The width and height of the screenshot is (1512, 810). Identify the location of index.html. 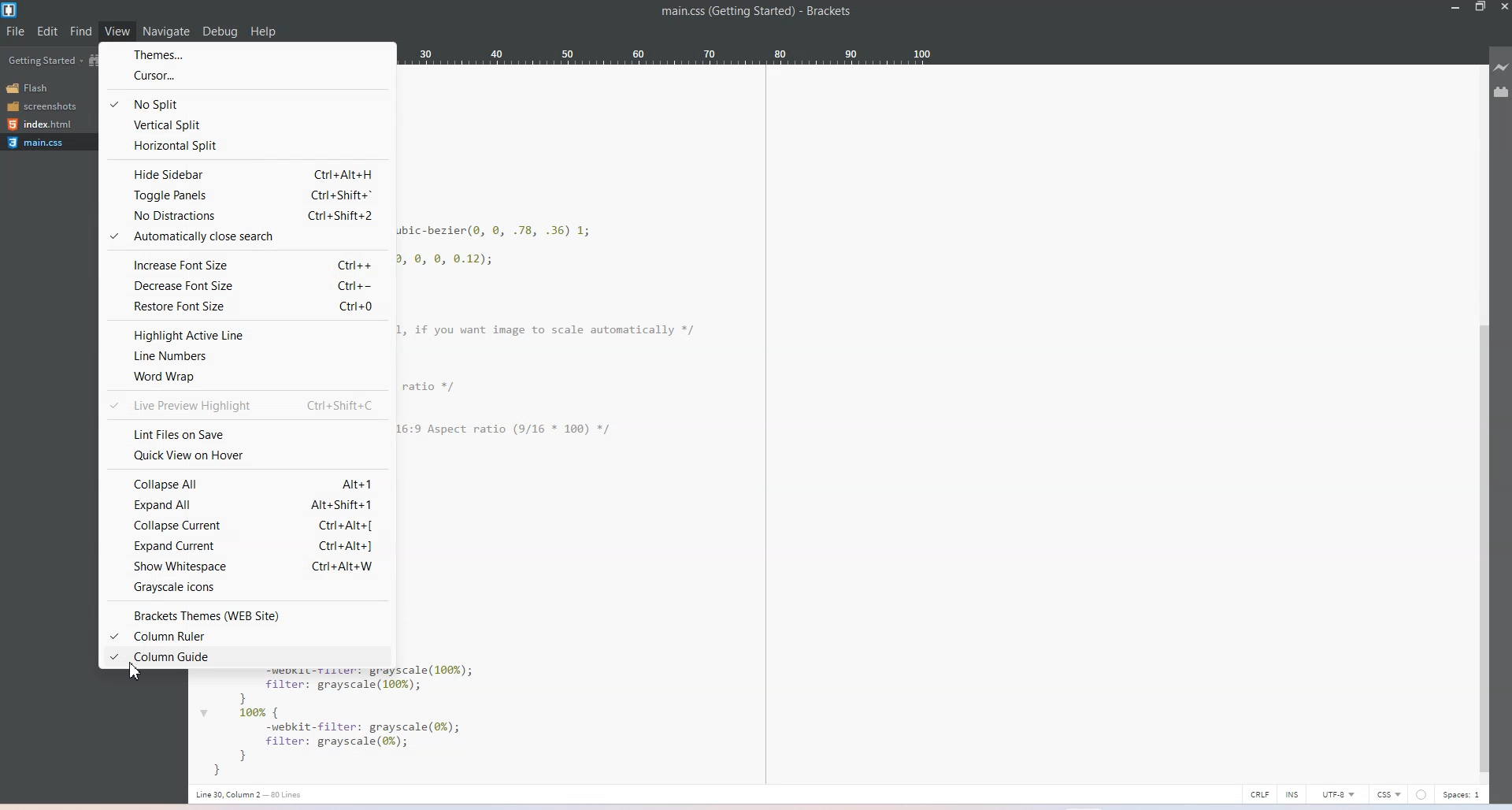
(47, 123).